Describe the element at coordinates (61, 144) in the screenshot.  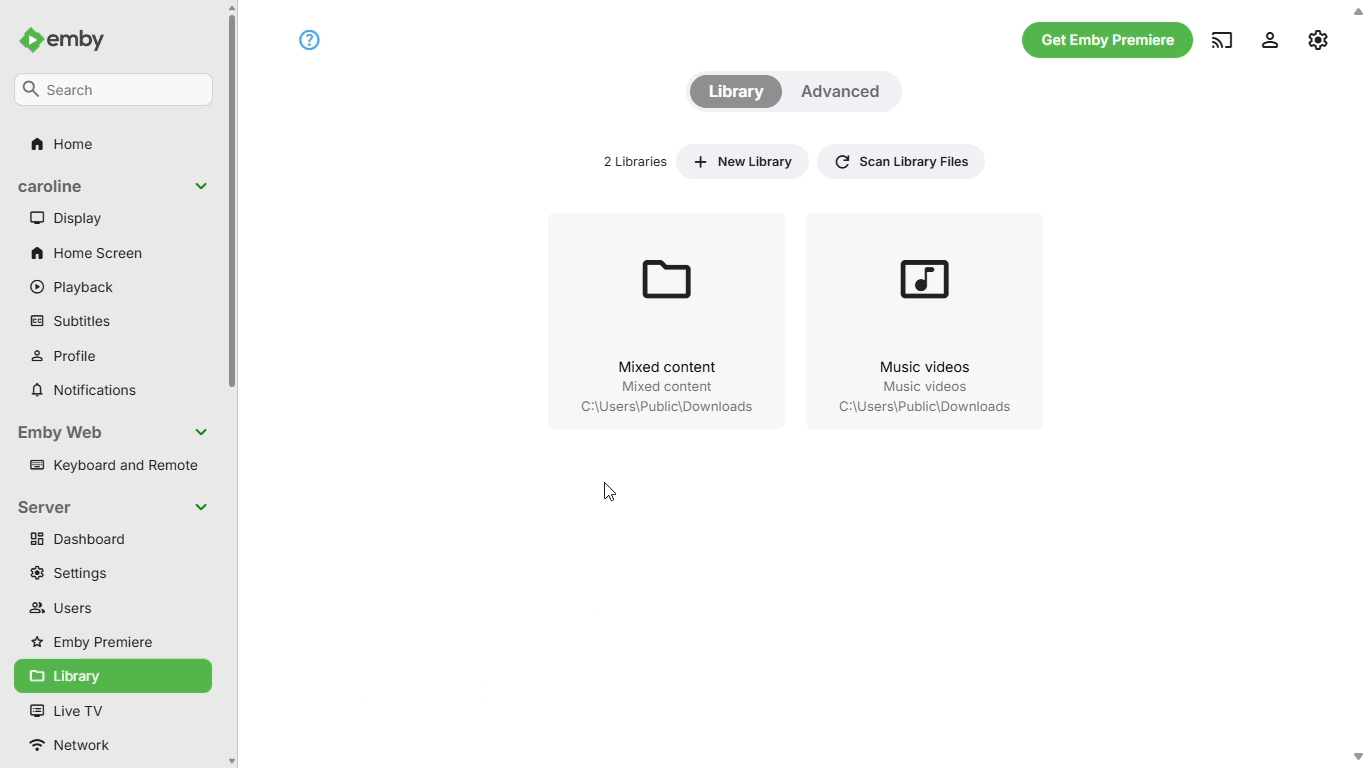
I see `home` at that location.